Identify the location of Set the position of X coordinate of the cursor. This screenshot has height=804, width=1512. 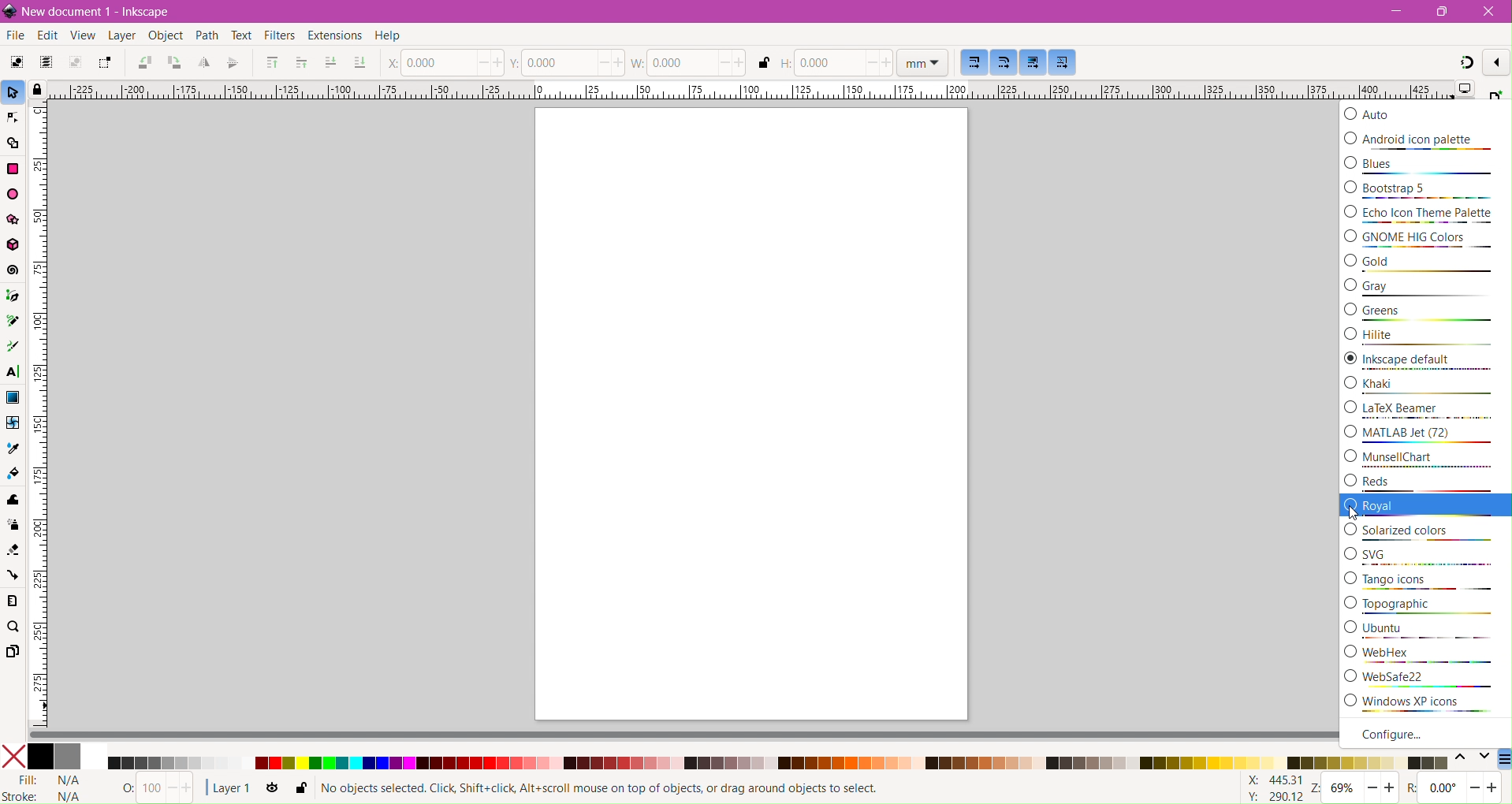
(443, 61).